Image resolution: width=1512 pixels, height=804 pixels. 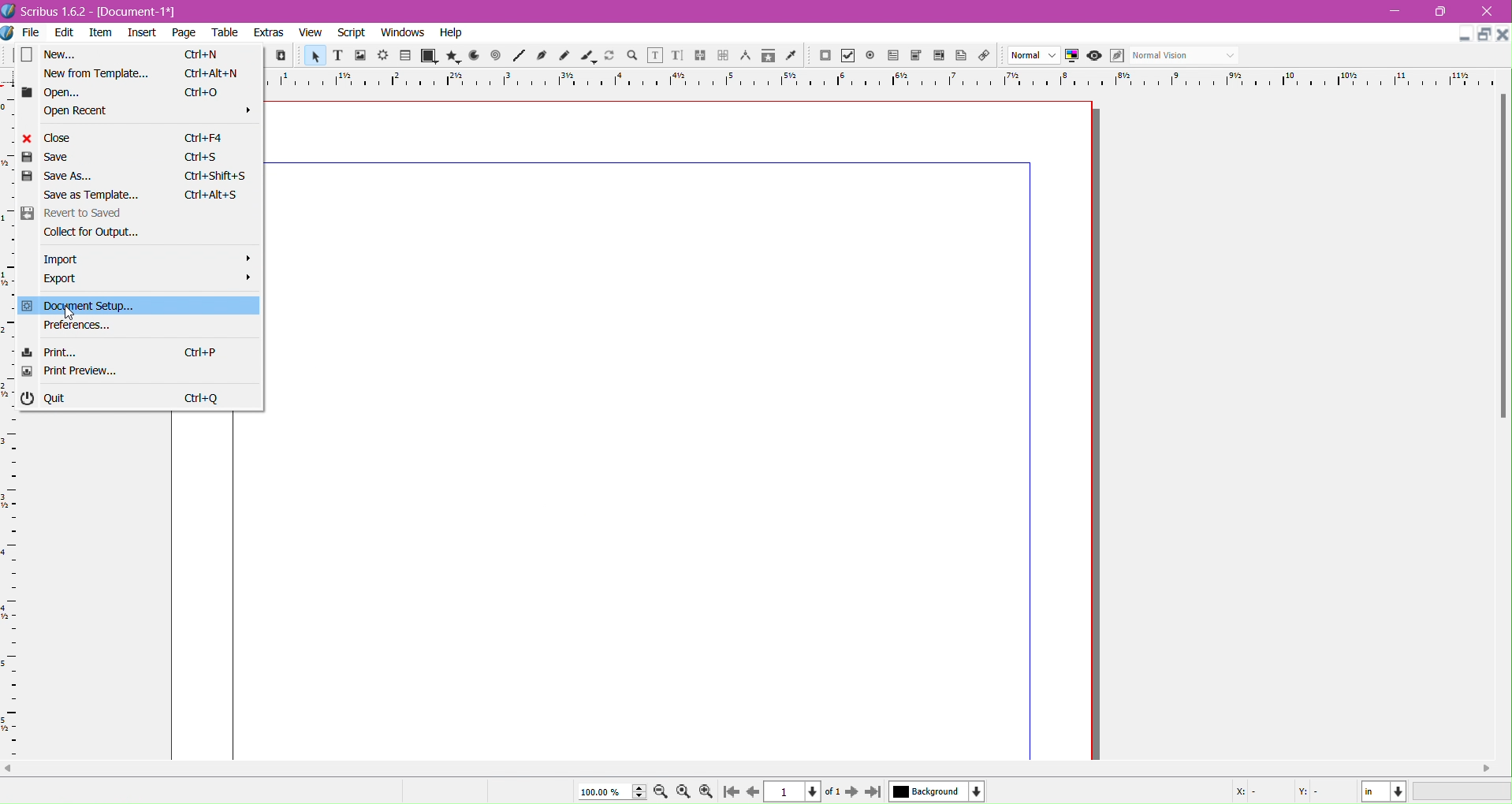 What do you see at coordinates (745, 57) in the screenshot?
I see `measurements` at bounding box center [745, 57].